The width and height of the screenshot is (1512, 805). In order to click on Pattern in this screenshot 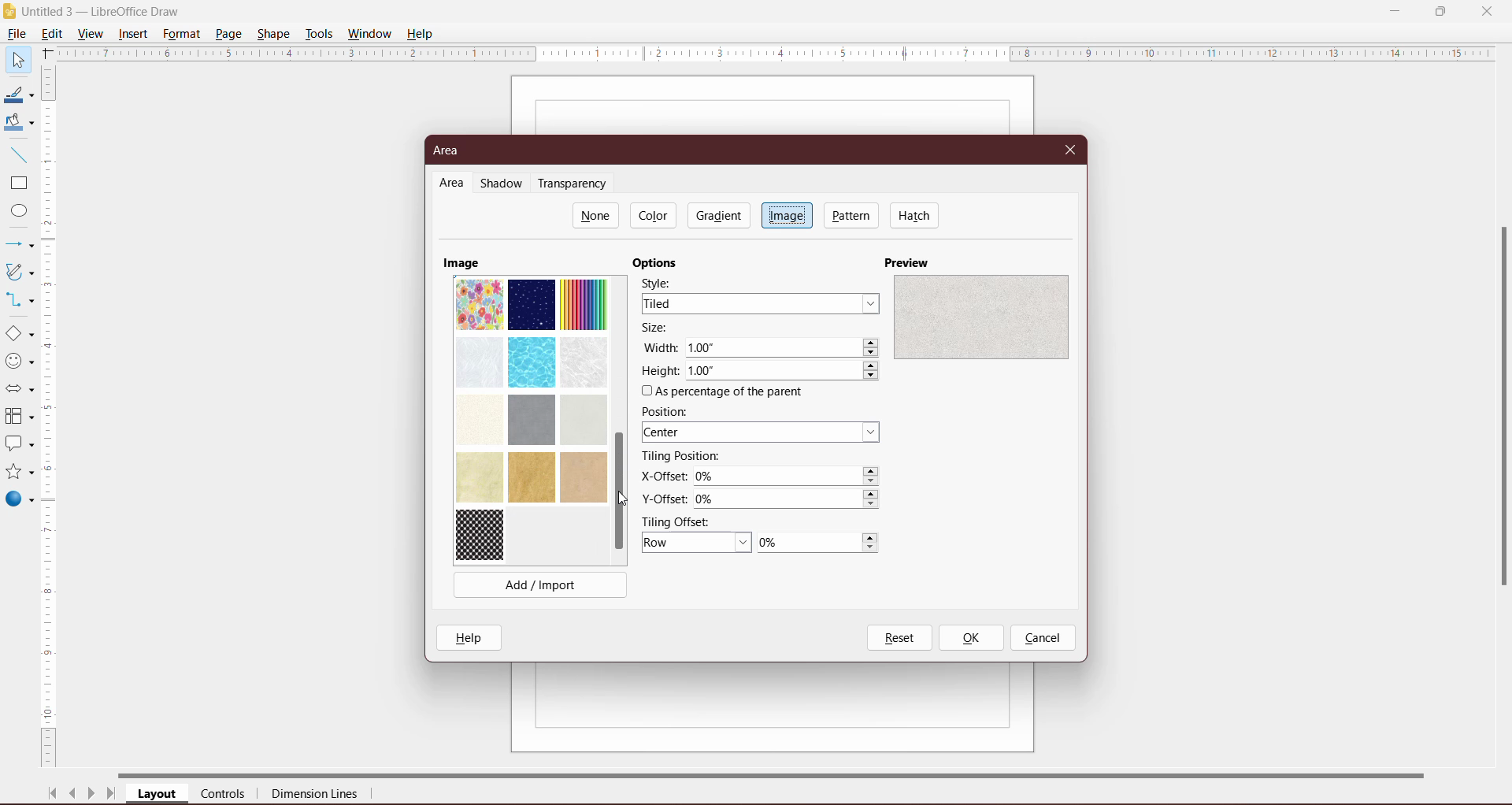, I will do `click(852, 215)`.